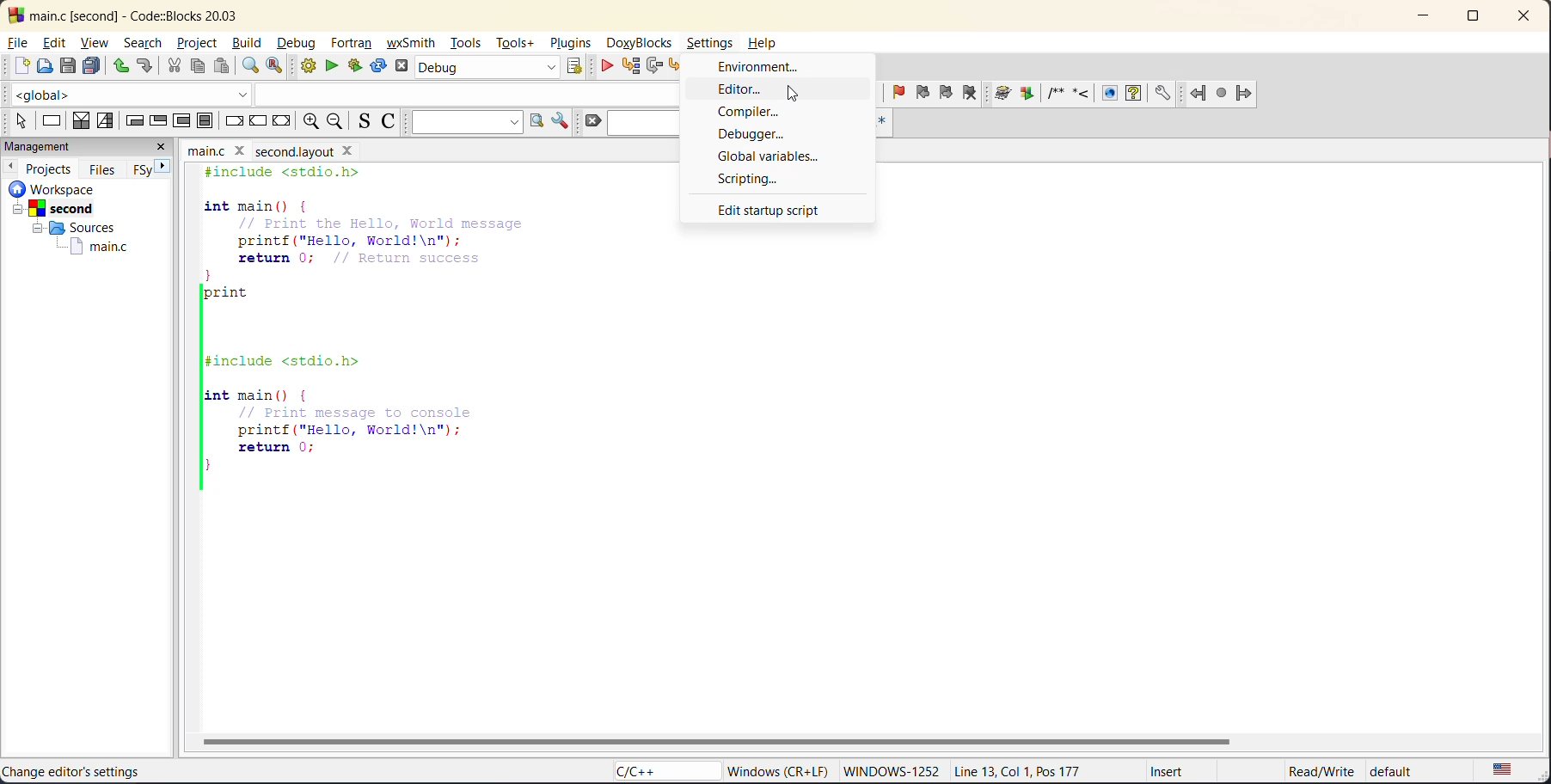 Image resolution: width=1551 pixels, height=784 pixels. Describe the element at coordinates (1471, 19) in the screenshot. I see `maximize` at that location.